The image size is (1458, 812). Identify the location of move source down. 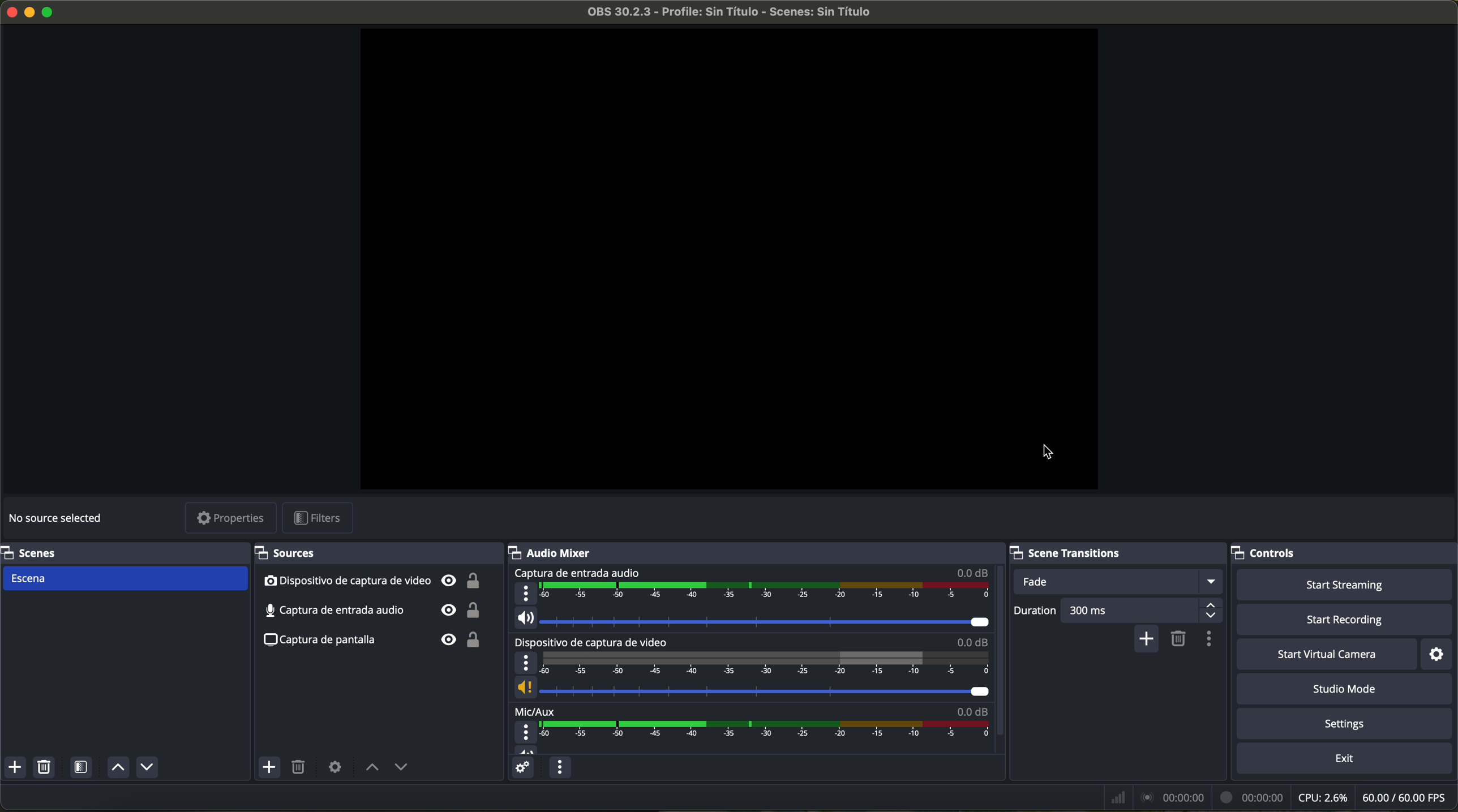
(147, 767).